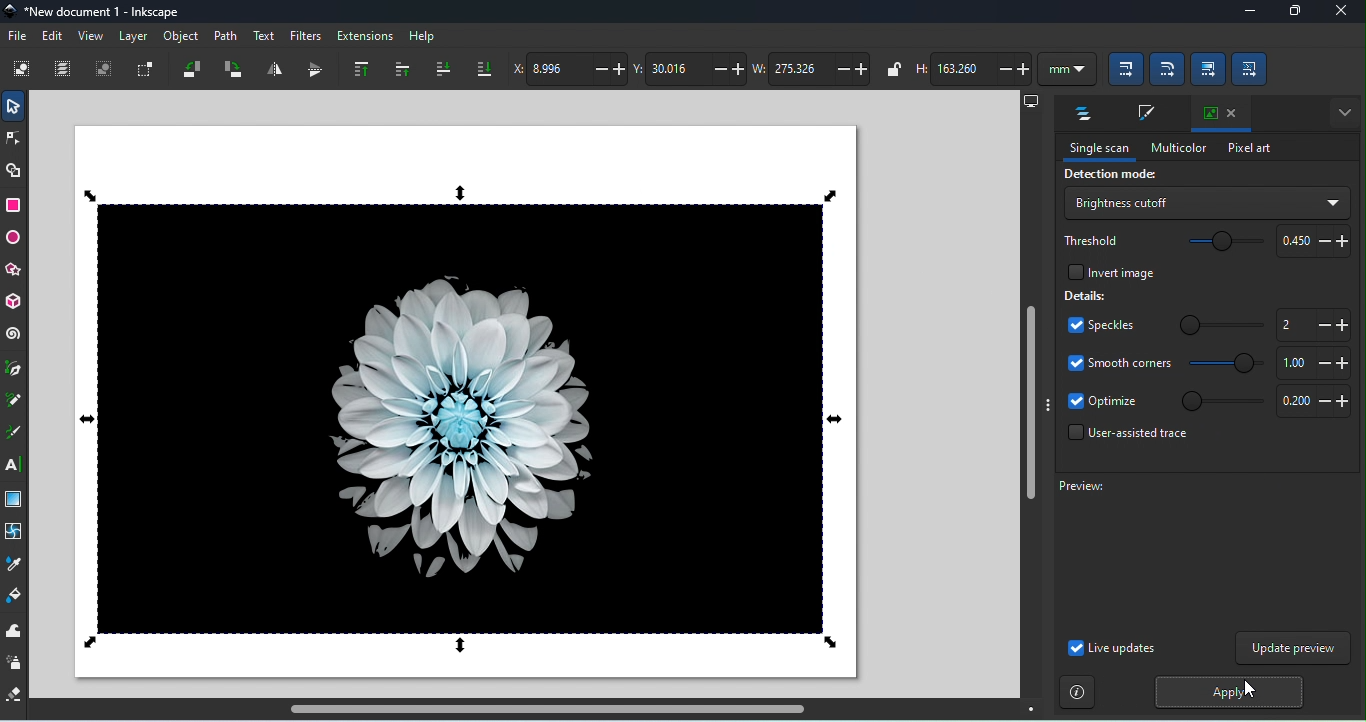  I want to click on Width of the selection, so click(815, 70).